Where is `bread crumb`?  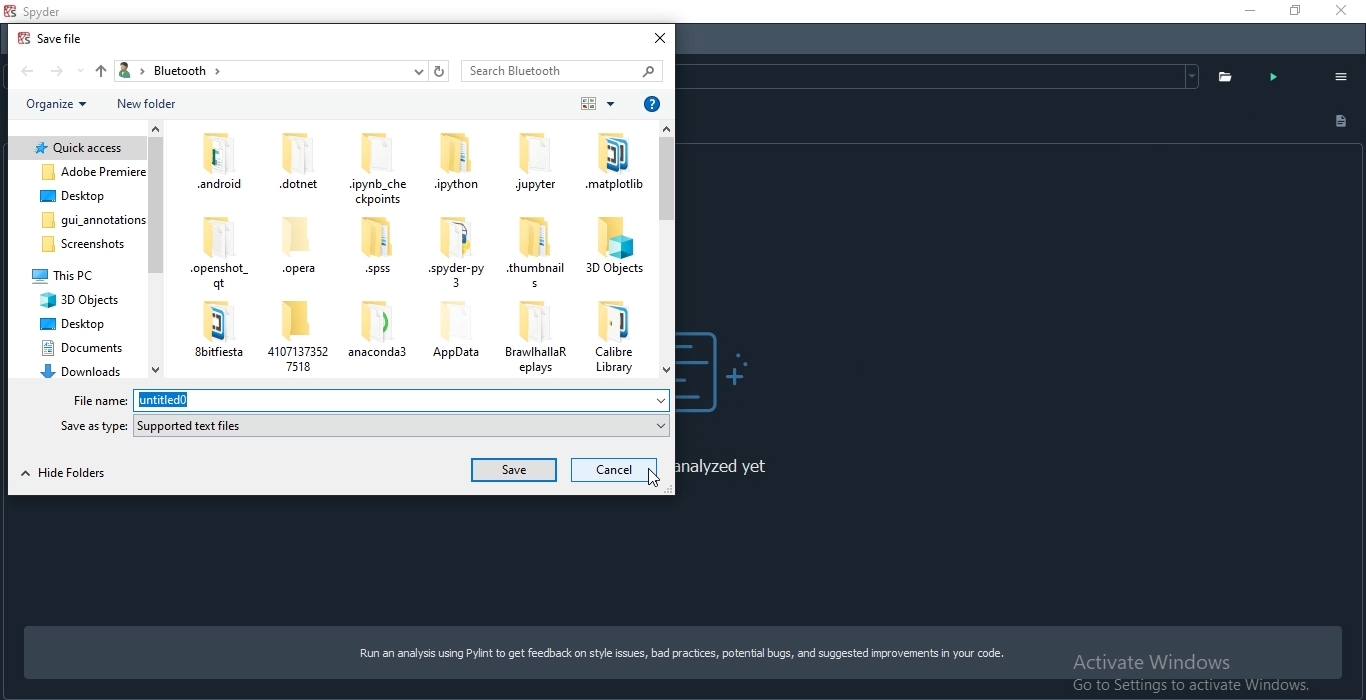 bread crumb is located at coordinates (281, 72).